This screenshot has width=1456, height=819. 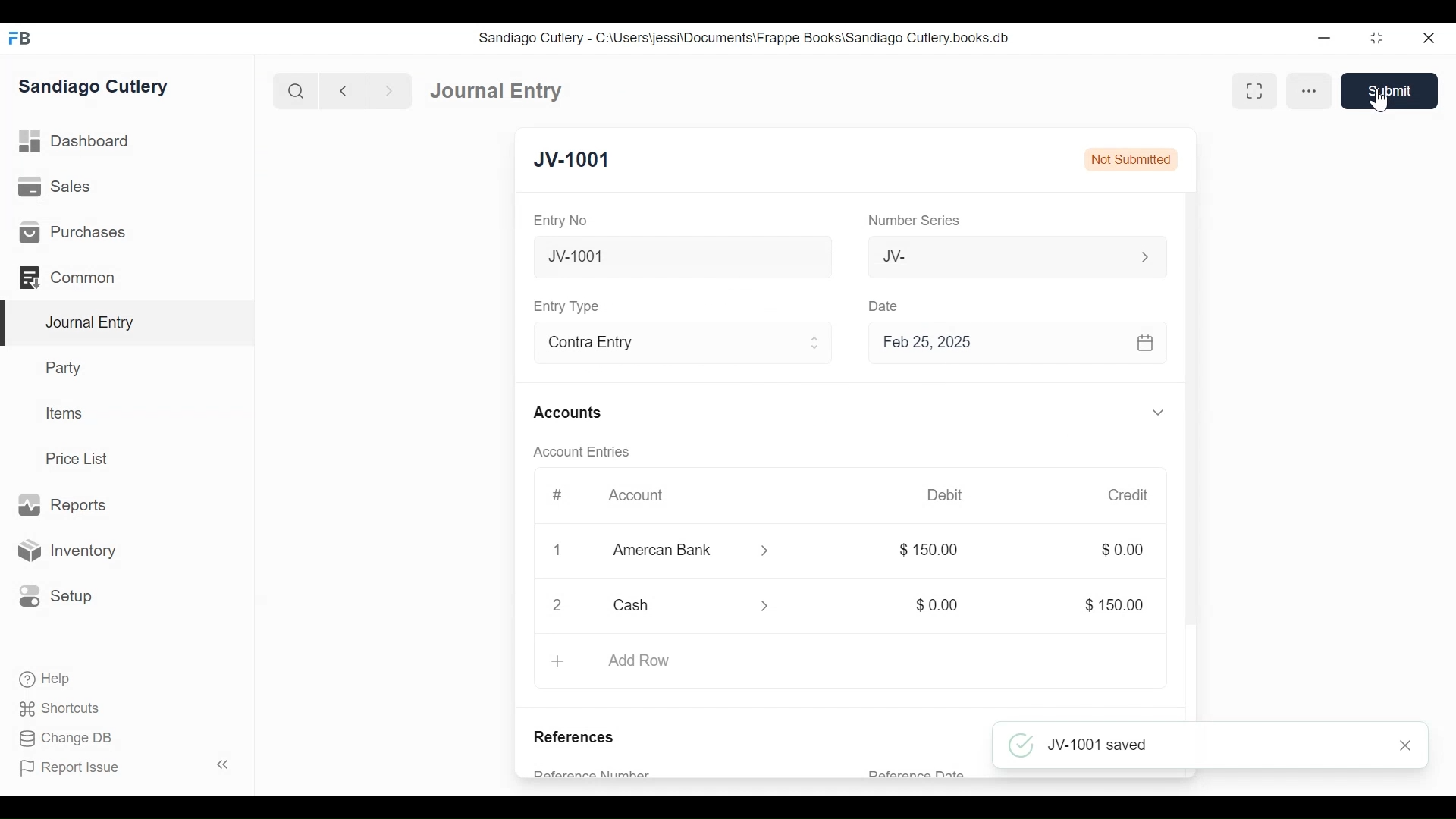 What do you see at coordinates (884, 305) in the screenshot?
I see `Date` at bounding box center [884, 305].